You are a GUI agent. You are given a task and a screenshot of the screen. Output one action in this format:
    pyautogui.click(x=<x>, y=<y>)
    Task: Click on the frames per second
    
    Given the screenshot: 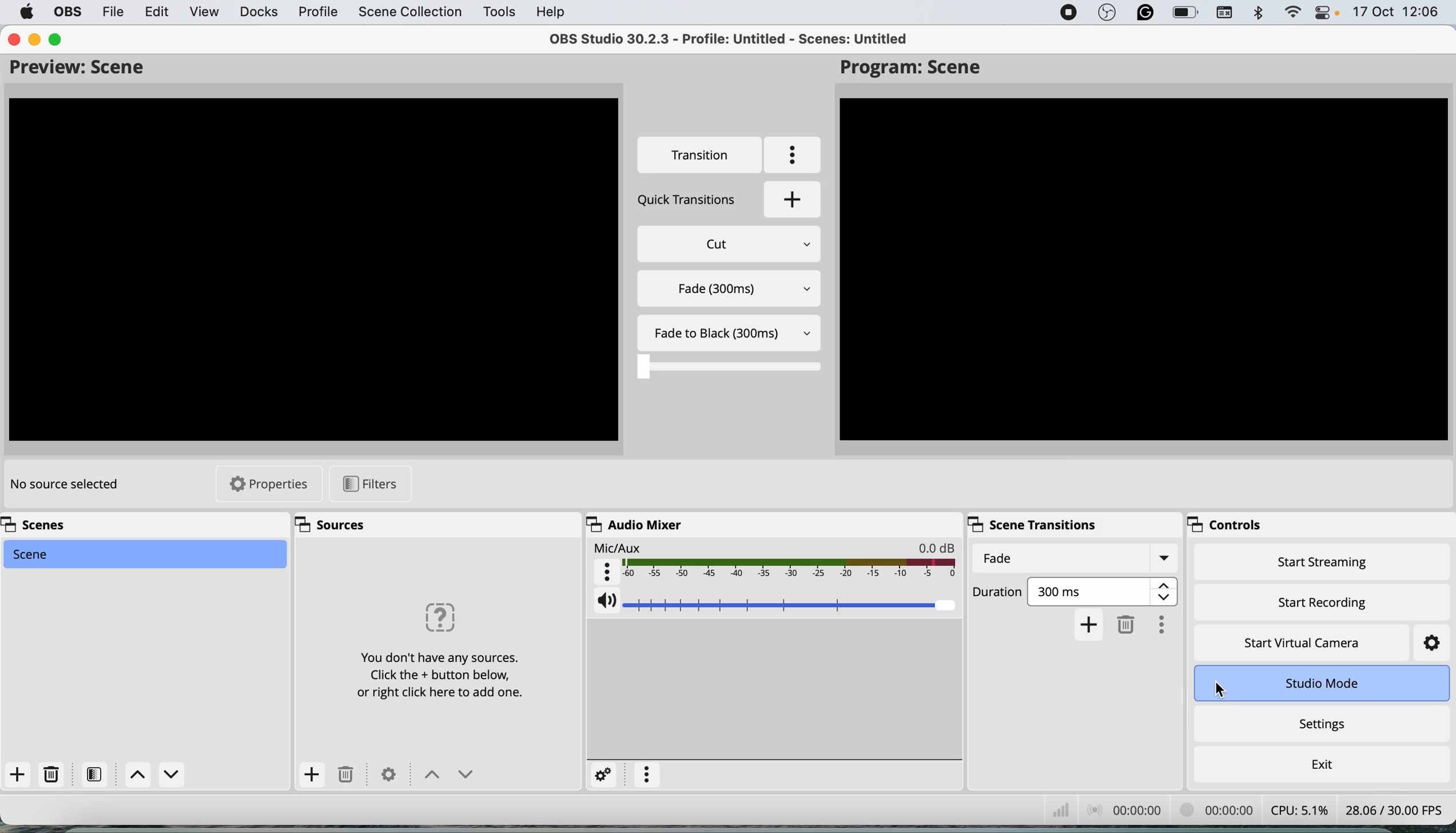 What is the action you would take?
    pyautogui.click(x=1397, y=808)
    